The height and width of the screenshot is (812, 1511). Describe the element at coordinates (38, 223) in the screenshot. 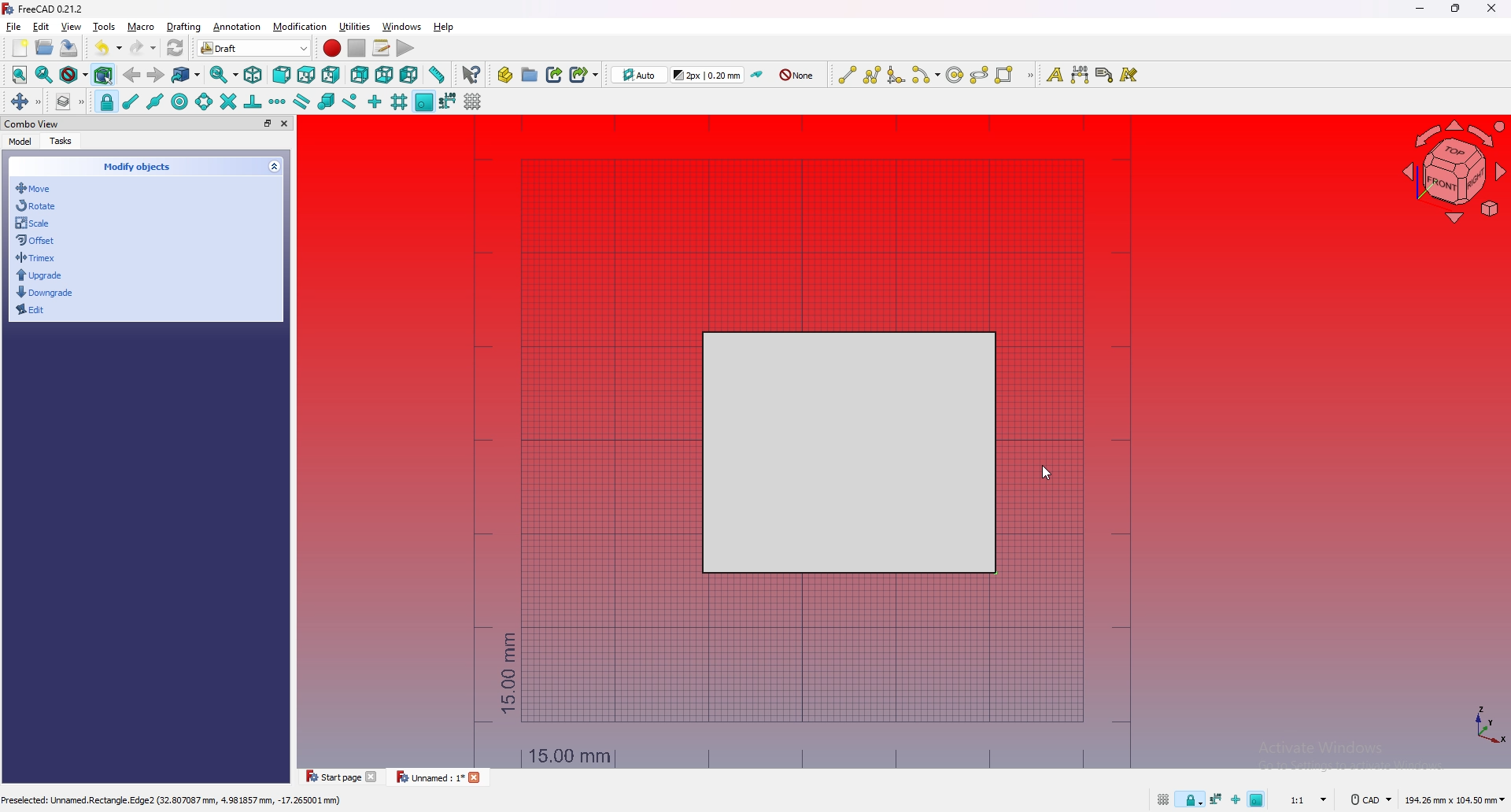

I see `scale` at that location.